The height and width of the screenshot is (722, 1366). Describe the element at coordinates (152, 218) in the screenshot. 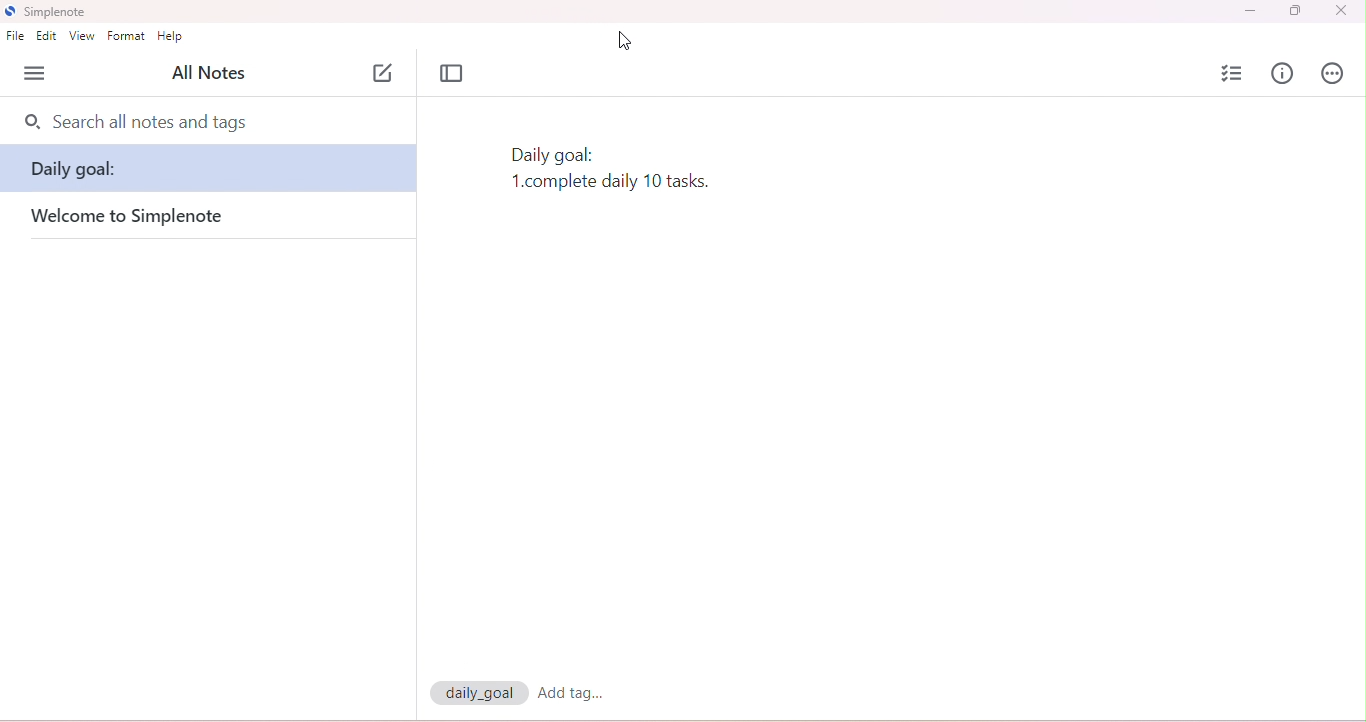

I see `welcome to simplenote` at that location.